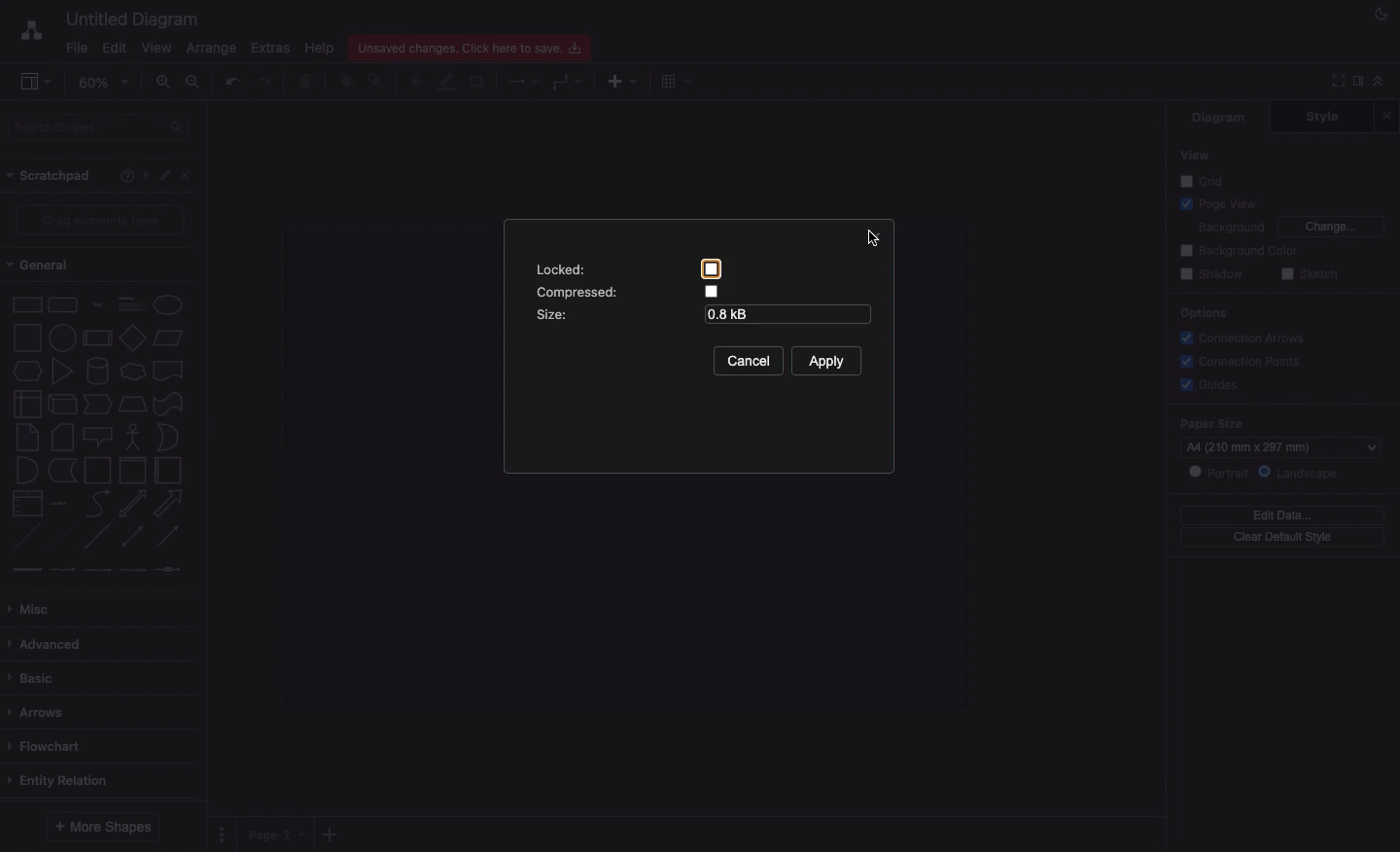  Describe the element at coordinates (476, 84) in the screenshot. I see `Duplicate` at that location.